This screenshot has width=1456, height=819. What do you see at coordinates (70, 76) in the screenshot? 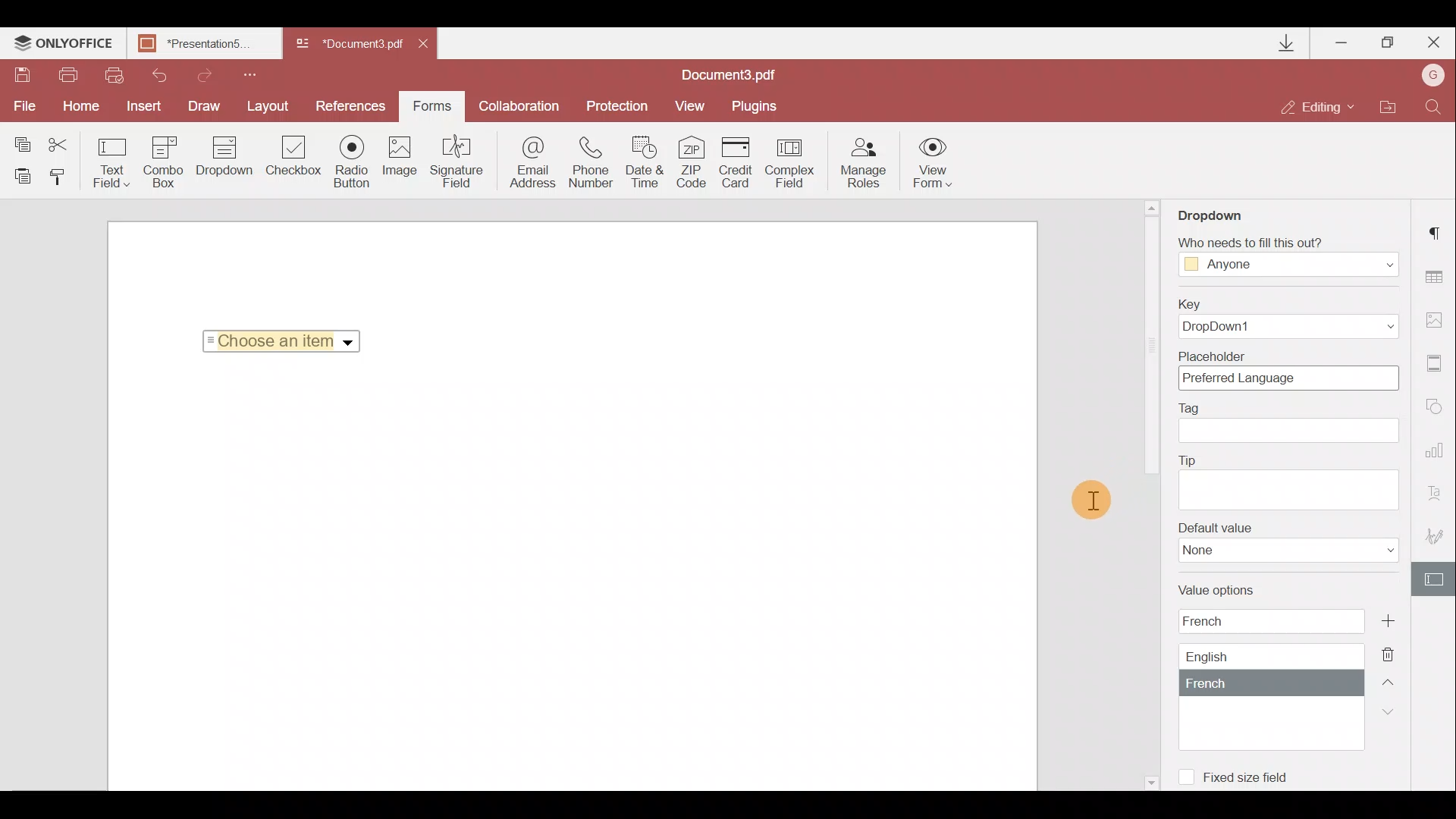
I see `Print file` at bounding box center [70, 76].